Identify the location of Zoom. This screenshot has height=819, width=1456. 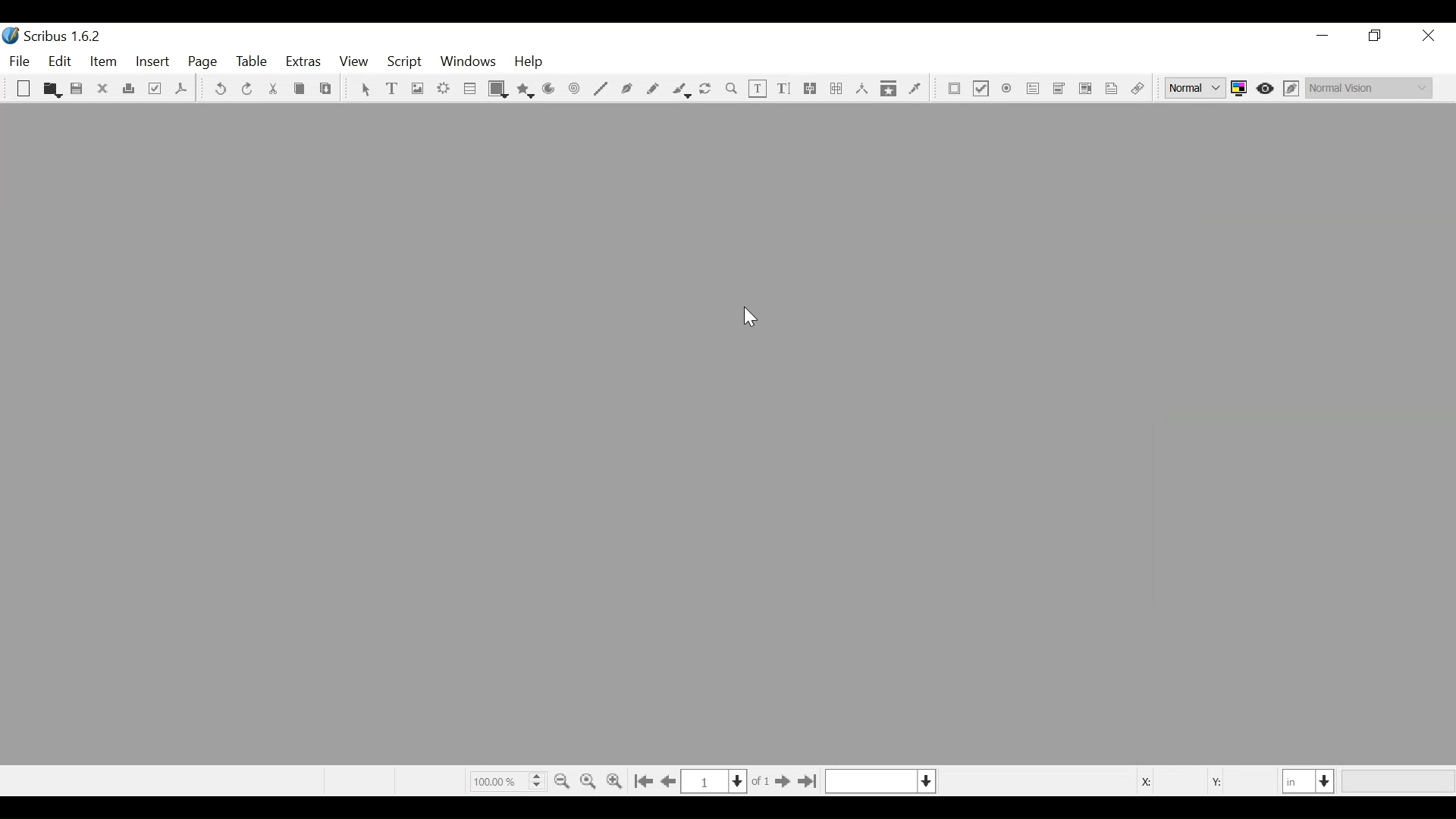
(732, 89).